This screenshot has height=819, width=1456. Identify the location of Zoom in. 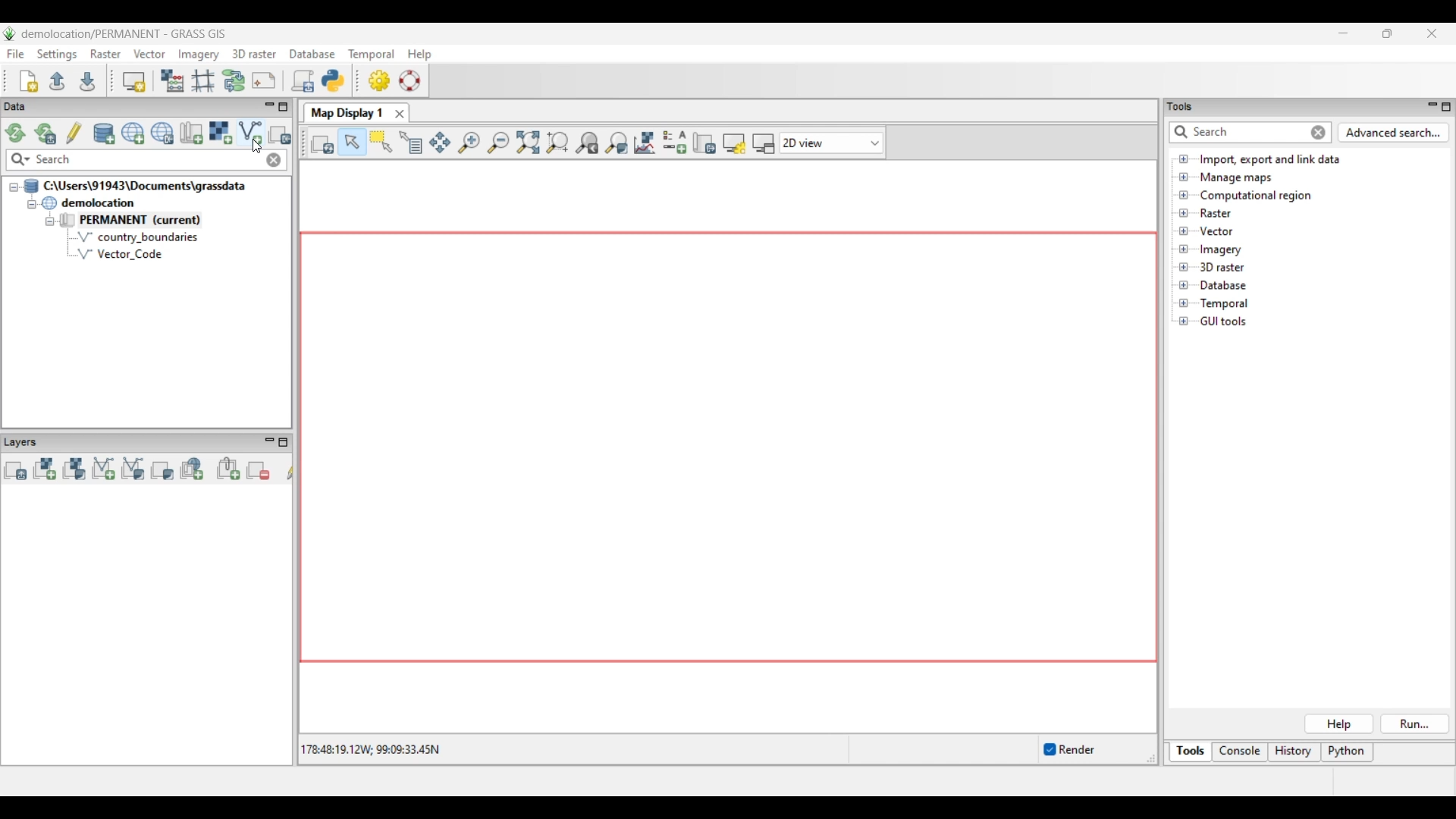
(469, 143).